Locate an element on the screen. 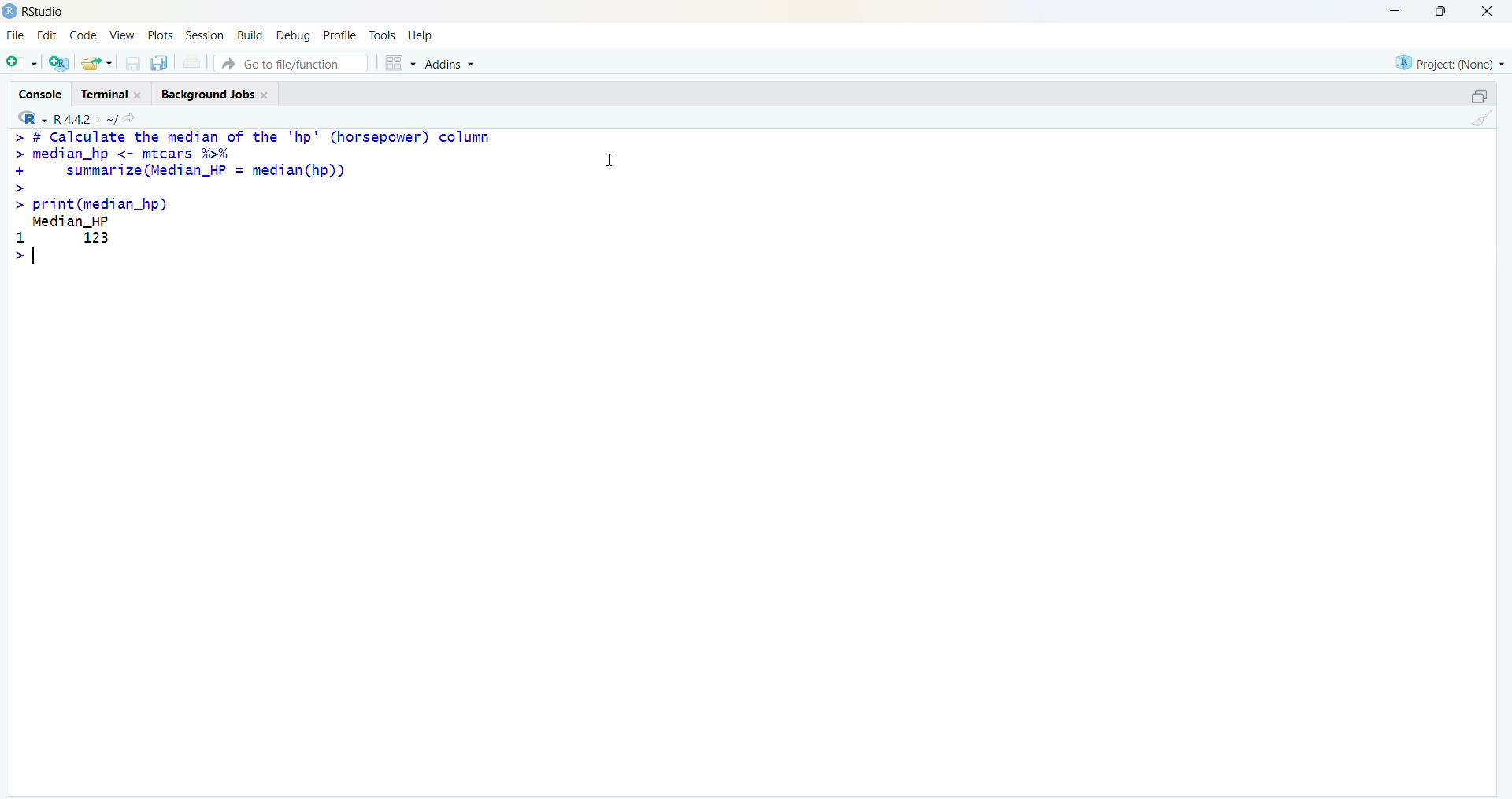 The height and width of the screenshot is (799, 1512). Median_HP 1 123 is located at coordinates (63, 230).